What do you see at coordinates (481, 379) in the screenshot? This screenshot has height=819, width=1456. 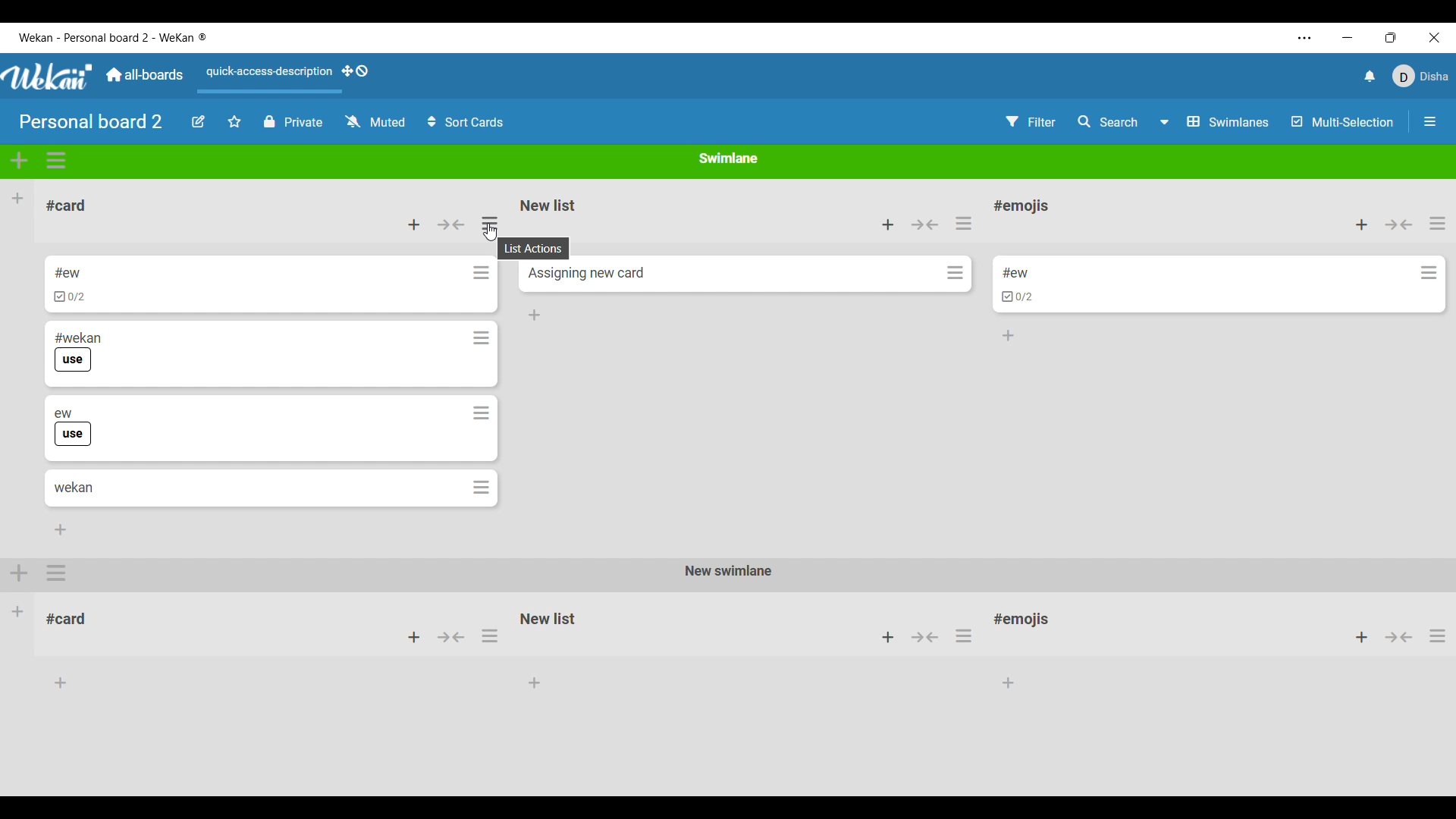 I see `Card actions for respective card in the list` at bounding box center [481, 379].